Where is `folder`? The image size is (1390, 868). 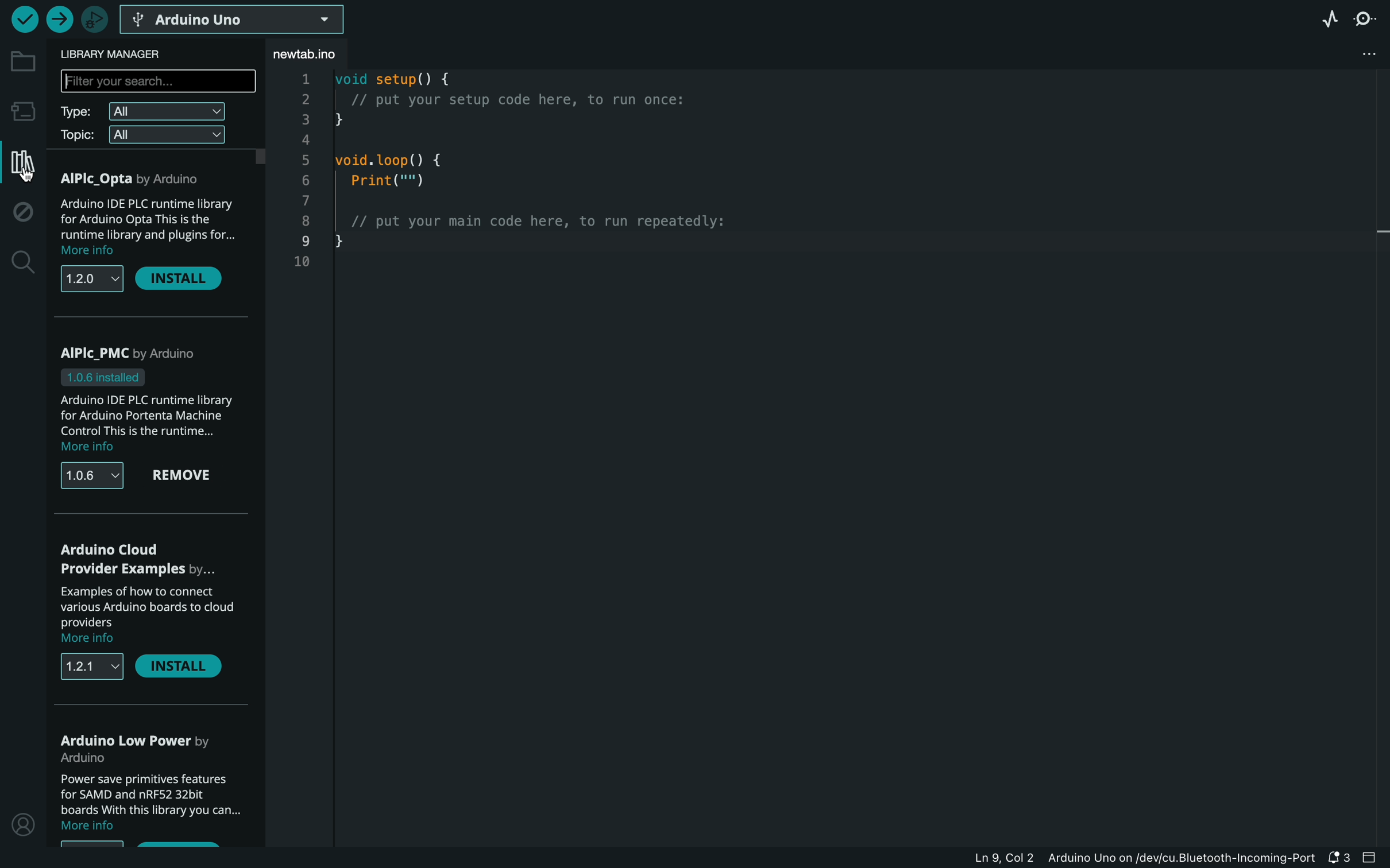 folder is located at coordinates (21, 62).